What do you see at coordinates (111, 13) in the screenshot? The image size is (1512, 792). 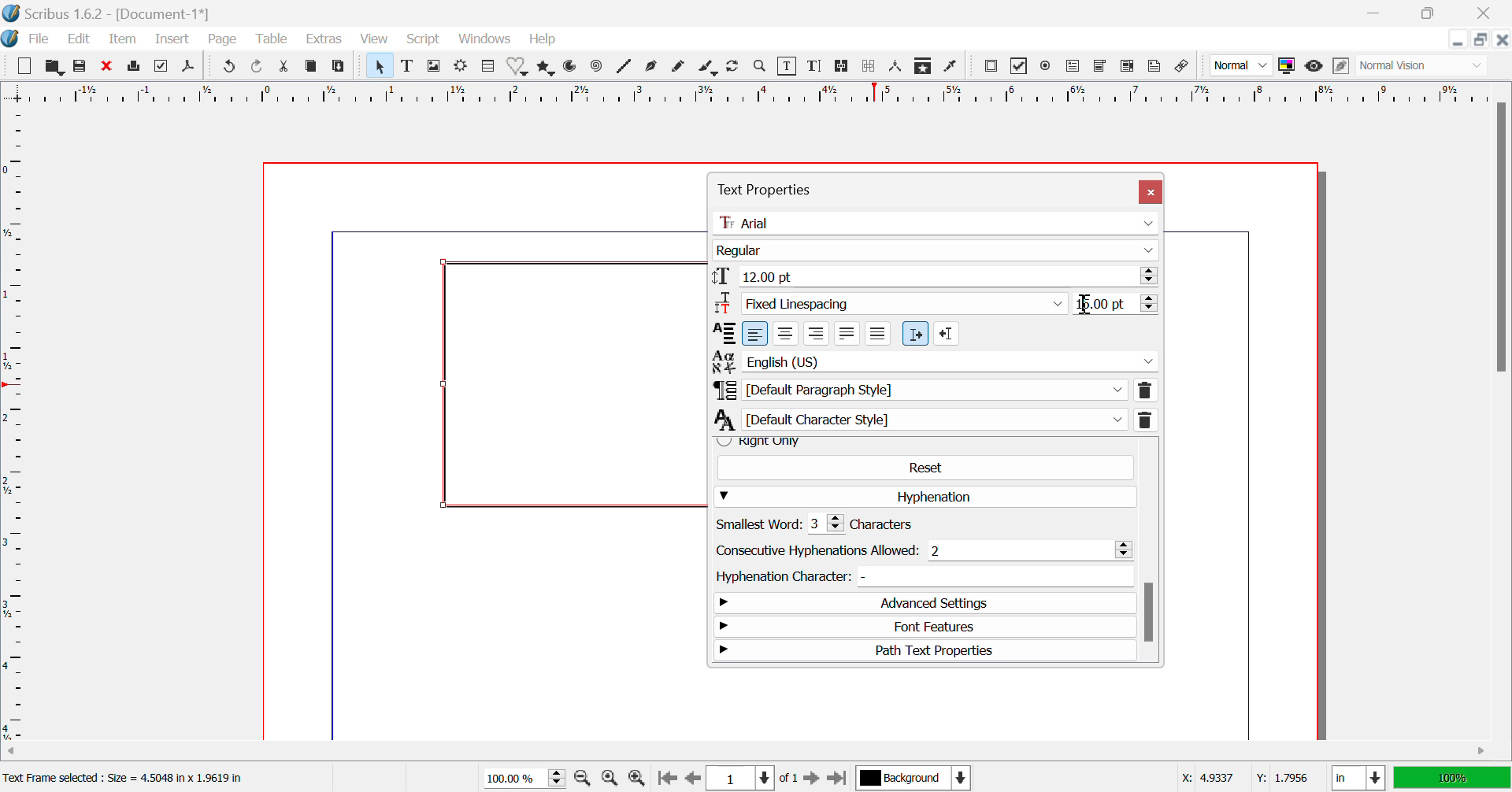 I see `Scribus 1.6.2 - [Document-1*]` at bounding box center [111, 13].